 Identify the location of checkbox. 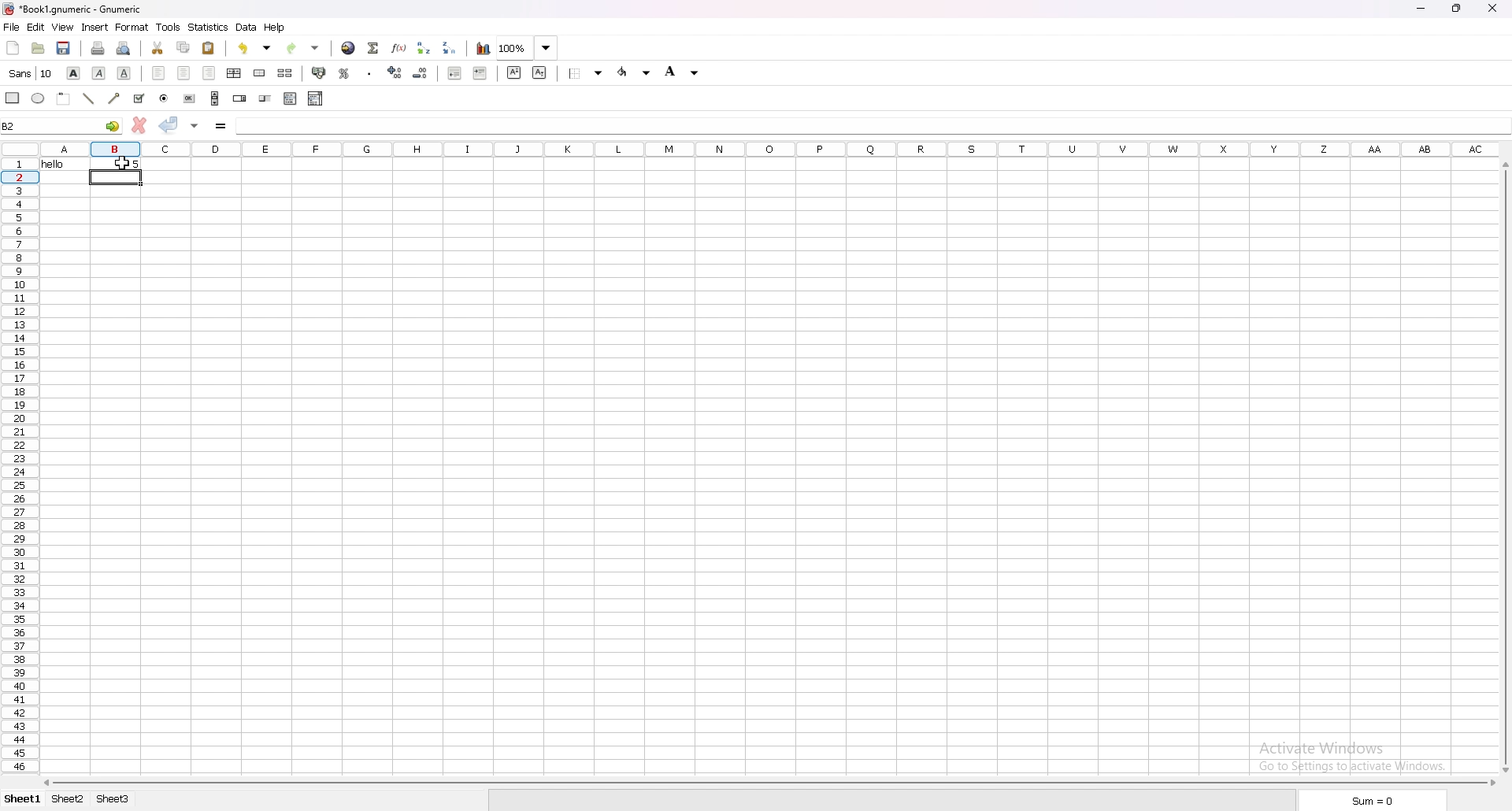
(138, 98).